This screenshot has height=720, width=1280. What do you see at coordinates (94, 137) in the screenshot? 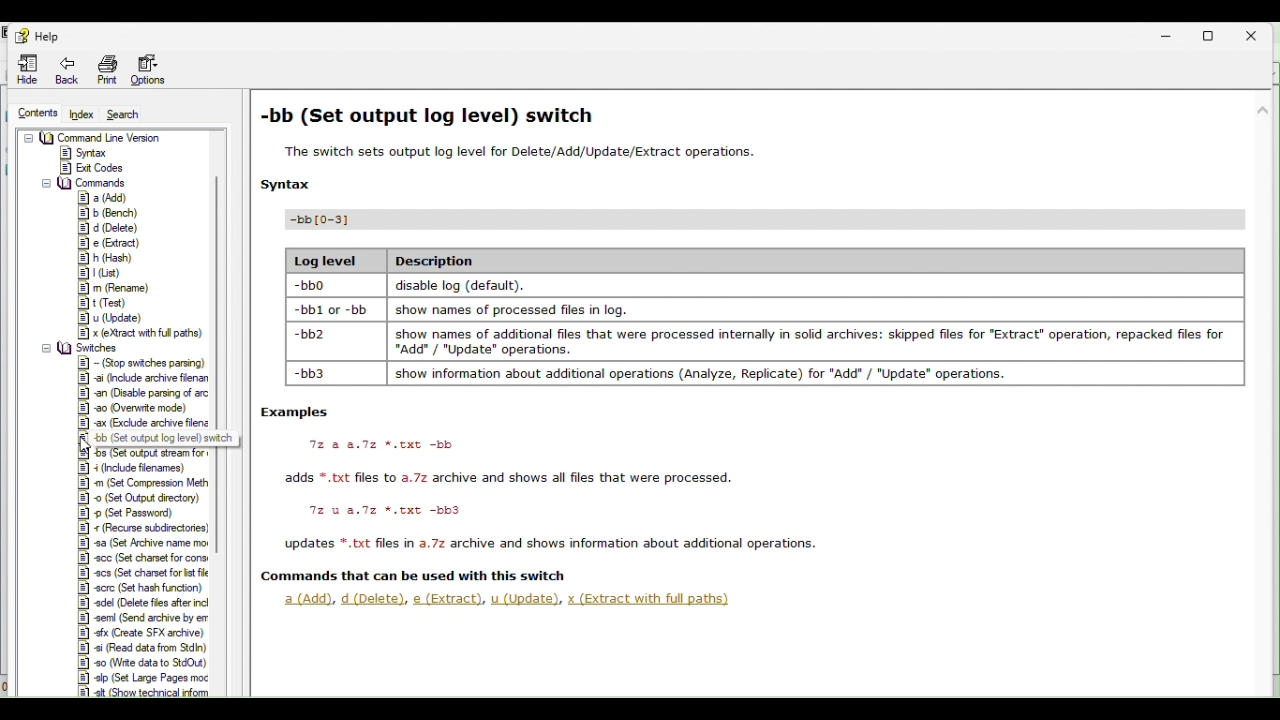
I see `= (3 Command Line Version` at bounding box center [94, 137].